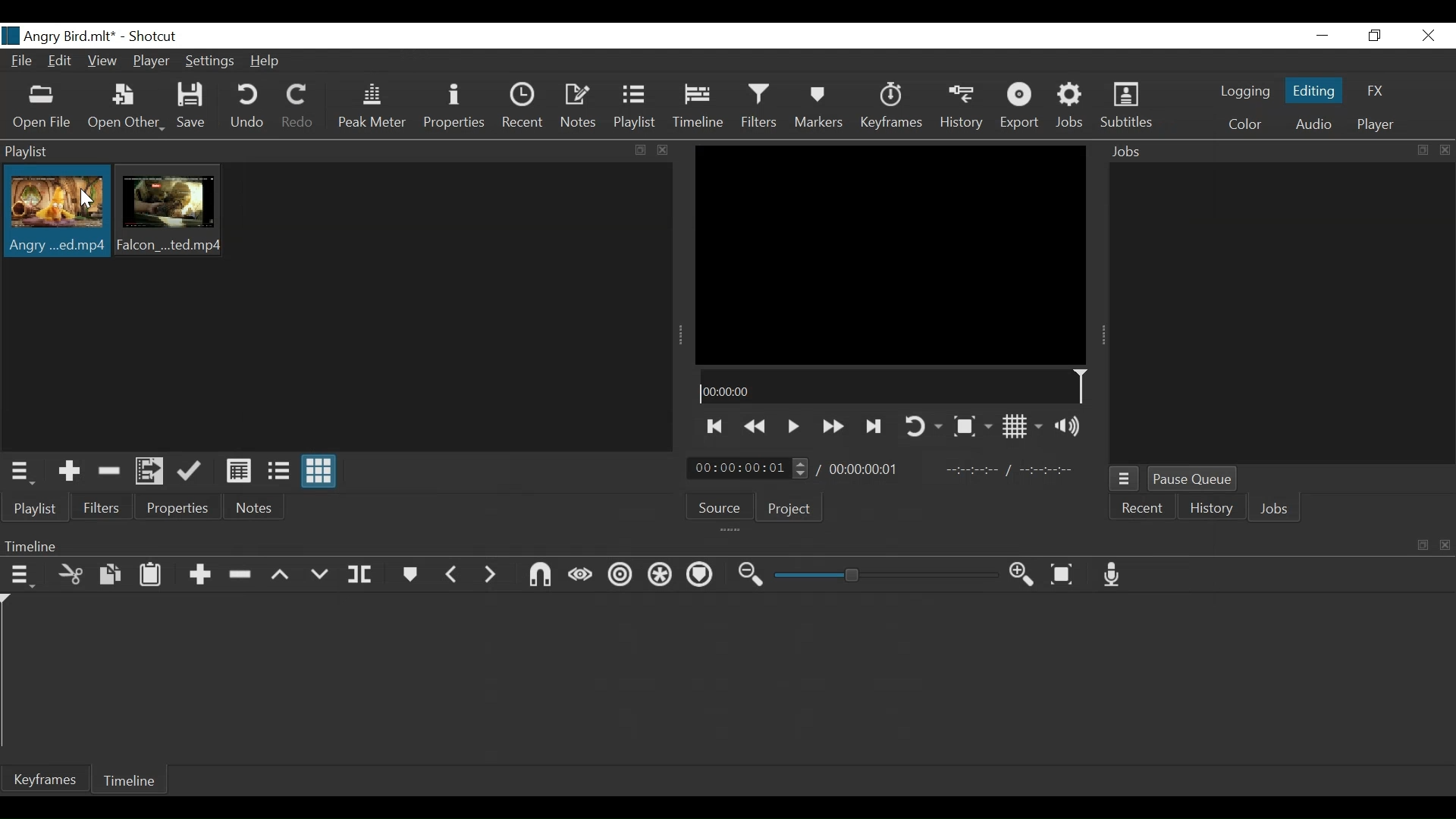 The height and width of the screenshot is (819, 1456). Describe the element at coordinates (108, 473) in the screenshot. I see `Remove cut` at that location.